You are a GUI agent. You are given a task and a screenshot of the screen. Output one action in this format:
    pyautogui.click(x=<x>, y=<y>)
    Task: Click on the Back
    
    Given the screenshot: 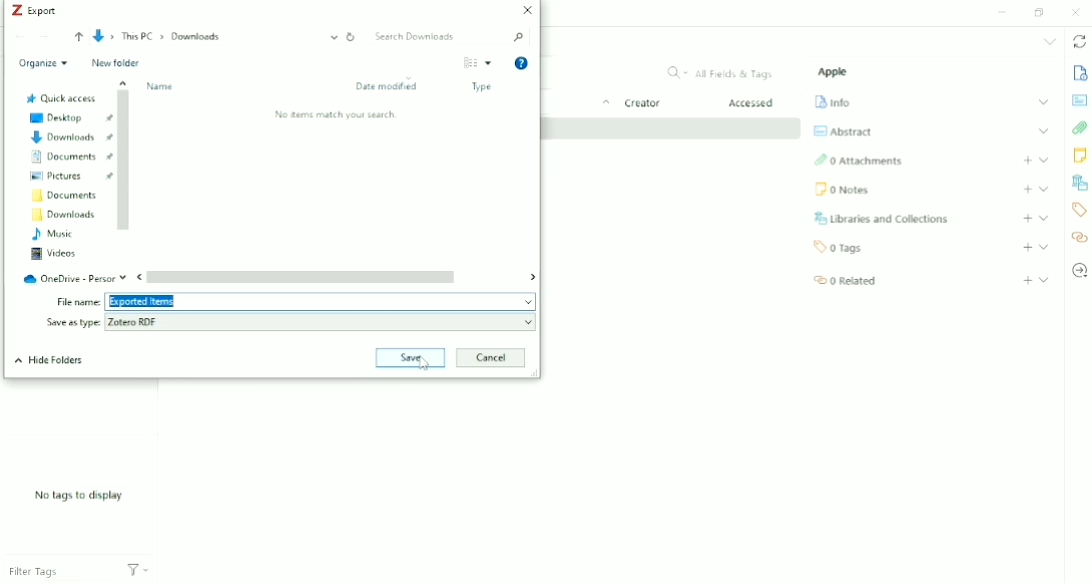 What is the action you would take?
    pyautogui.click(x=20, y=37)
    